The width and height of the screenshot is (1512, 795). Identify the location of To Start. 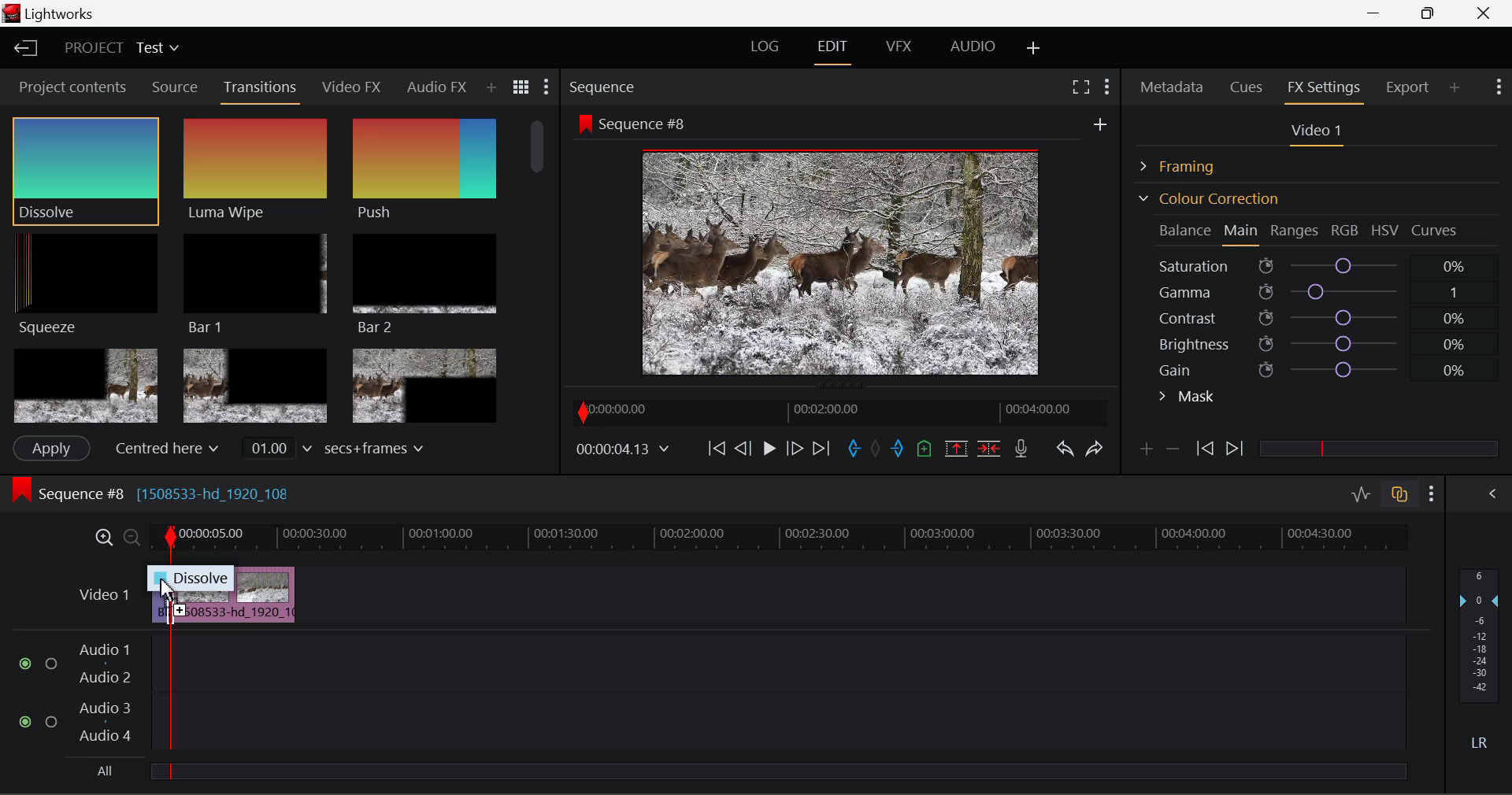
(715, 448).